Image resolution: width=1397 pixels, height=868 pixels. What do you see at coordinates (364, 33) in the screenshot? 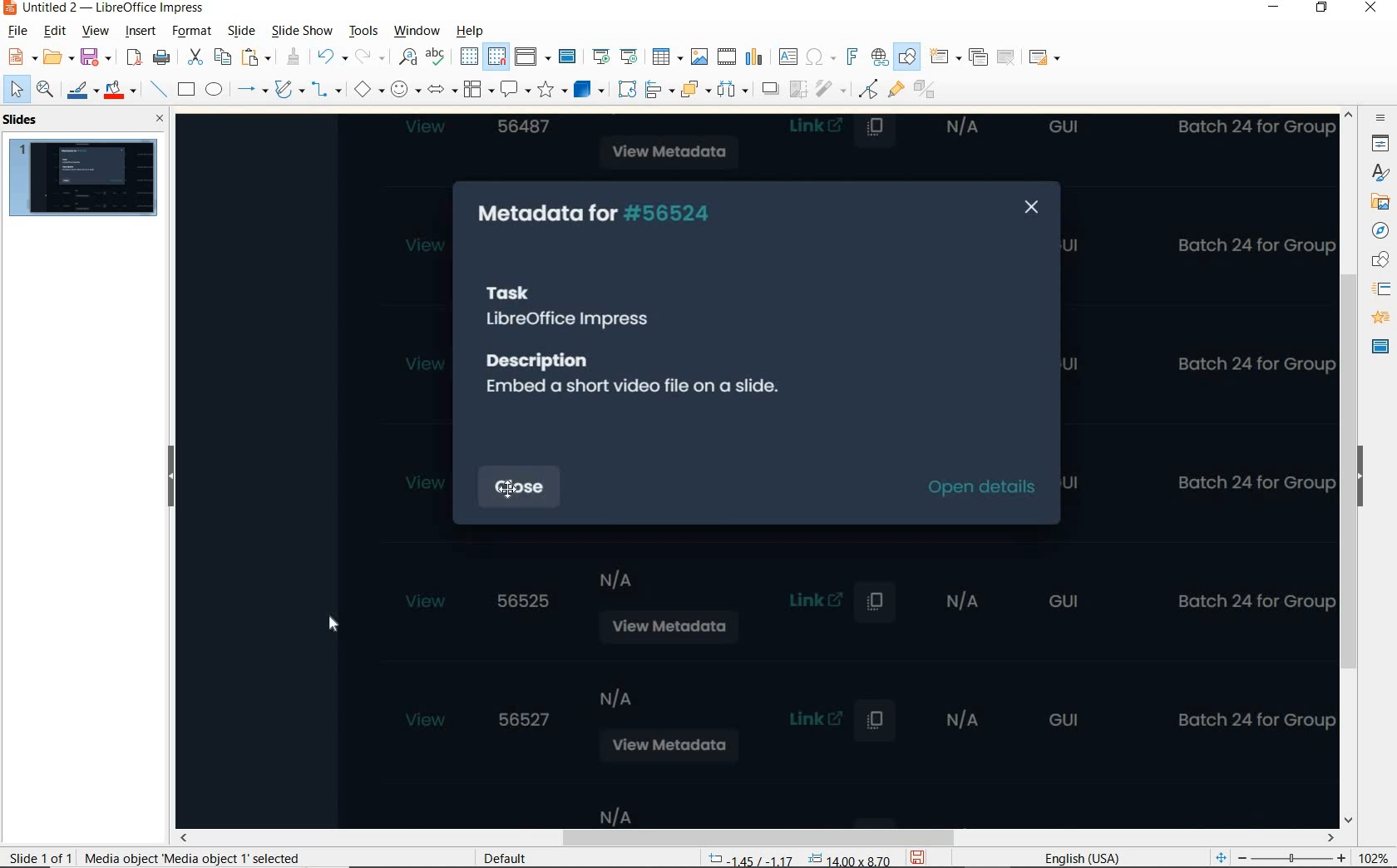
I see `TOOLS` at bounding box center [364, 33].